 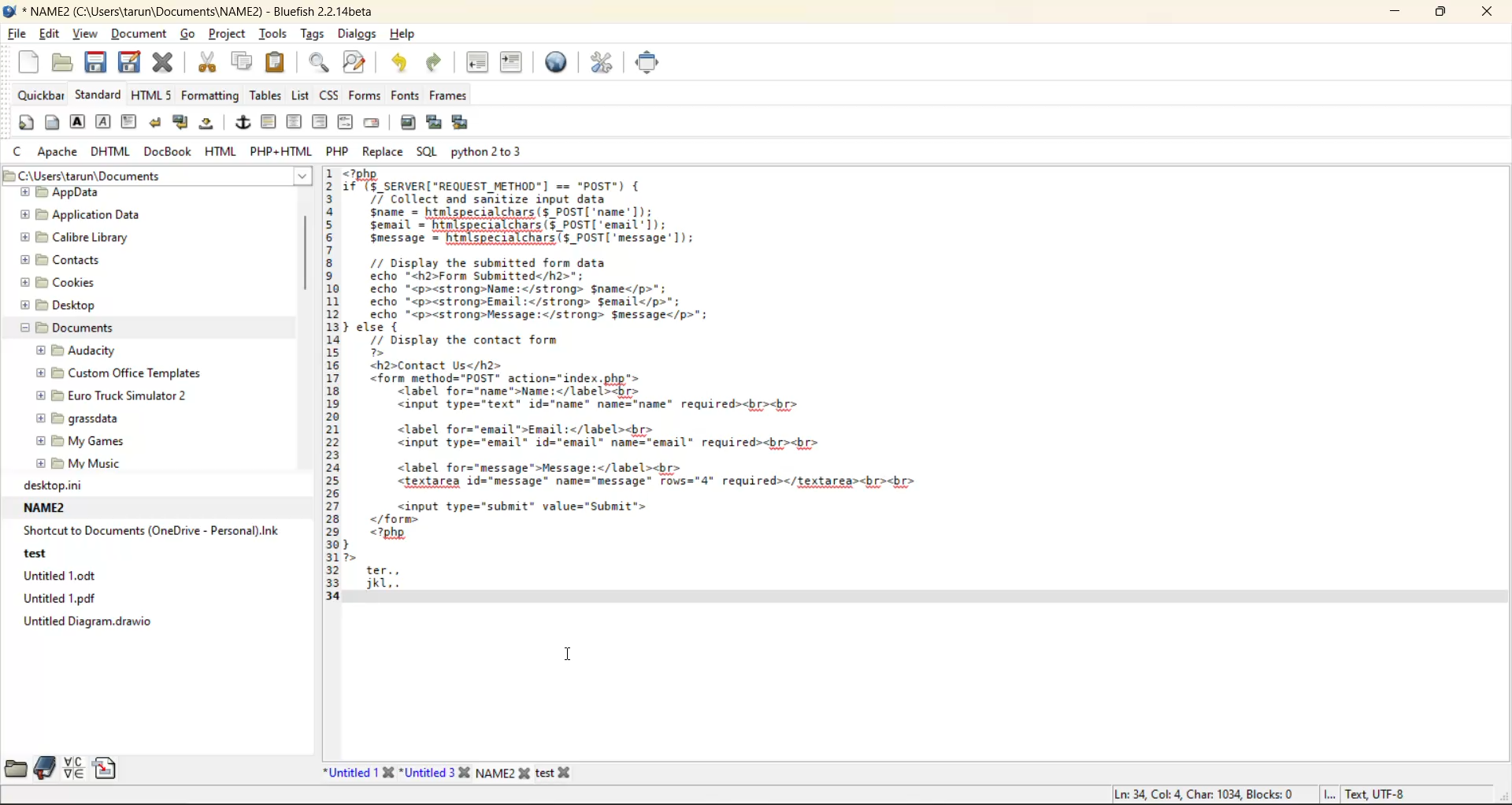 What do you see at coordinates (58, 282) in the screenshot?
I see `Cookies` at bounding box center [58, 282].